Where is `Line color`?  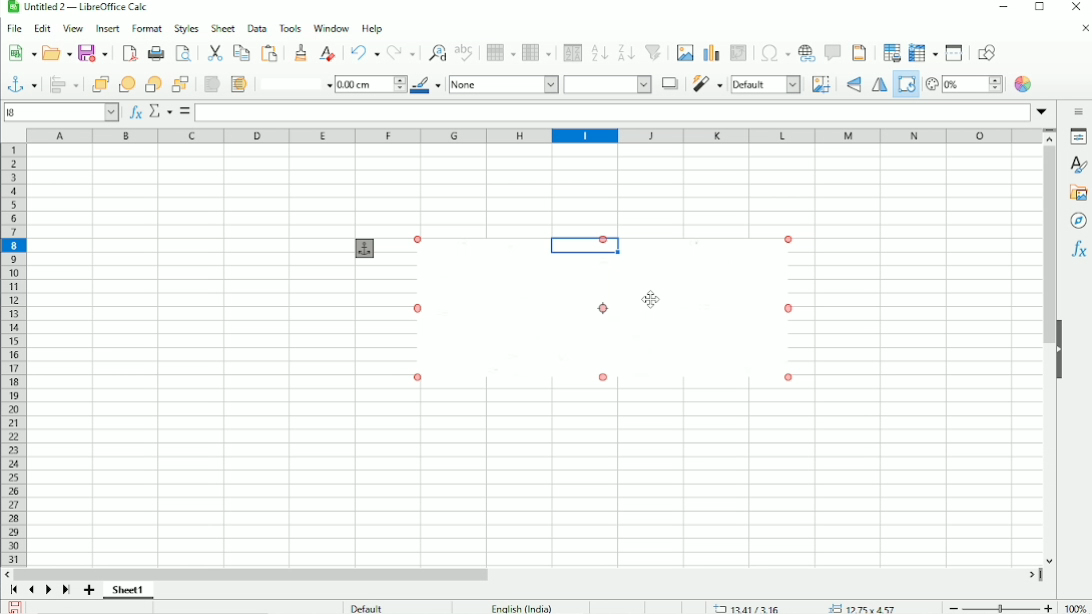 Line color is located at coordinates (426, 84).